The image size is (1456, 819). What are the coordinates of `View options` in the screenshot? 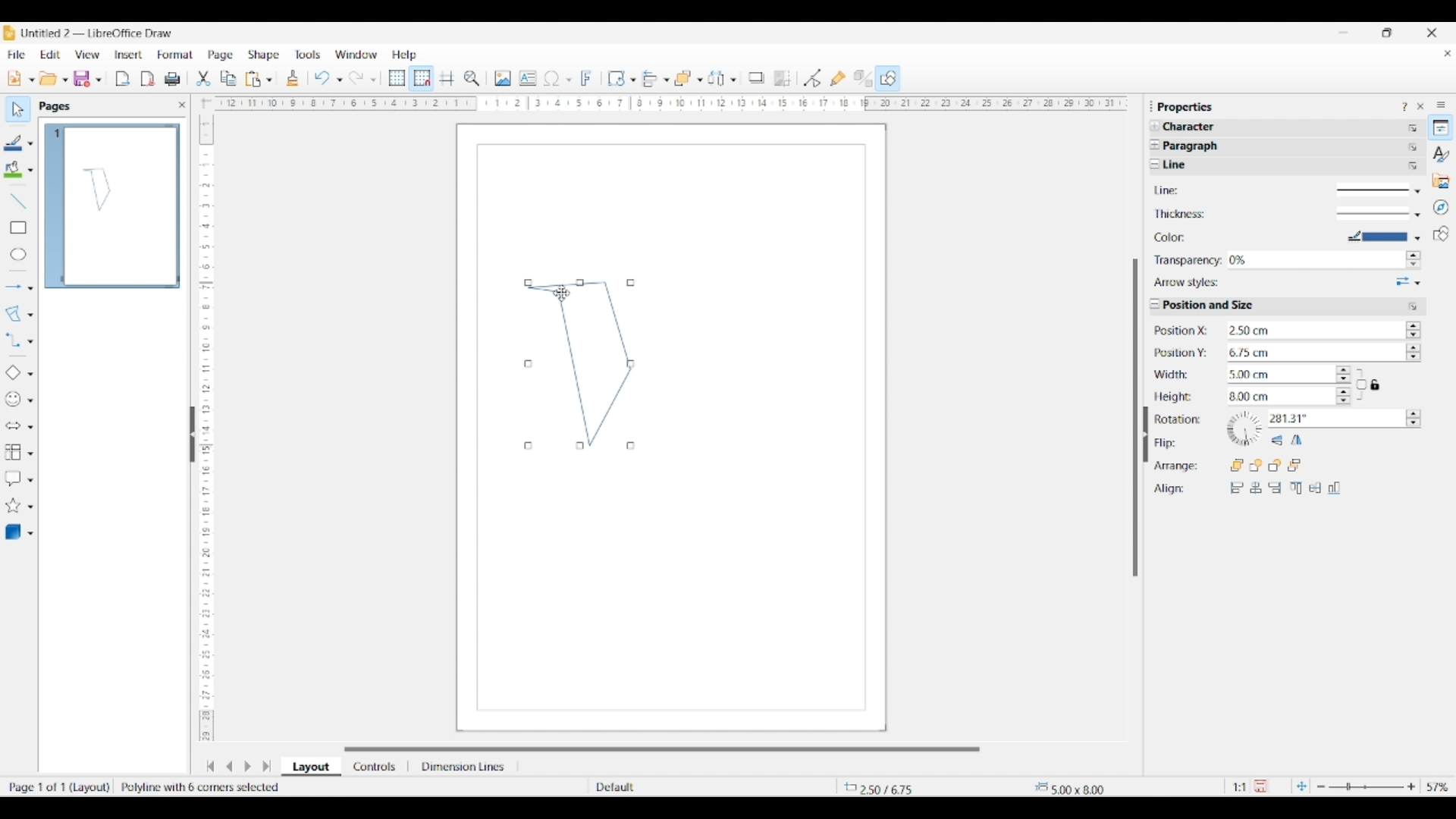 It's located at (86, 55).